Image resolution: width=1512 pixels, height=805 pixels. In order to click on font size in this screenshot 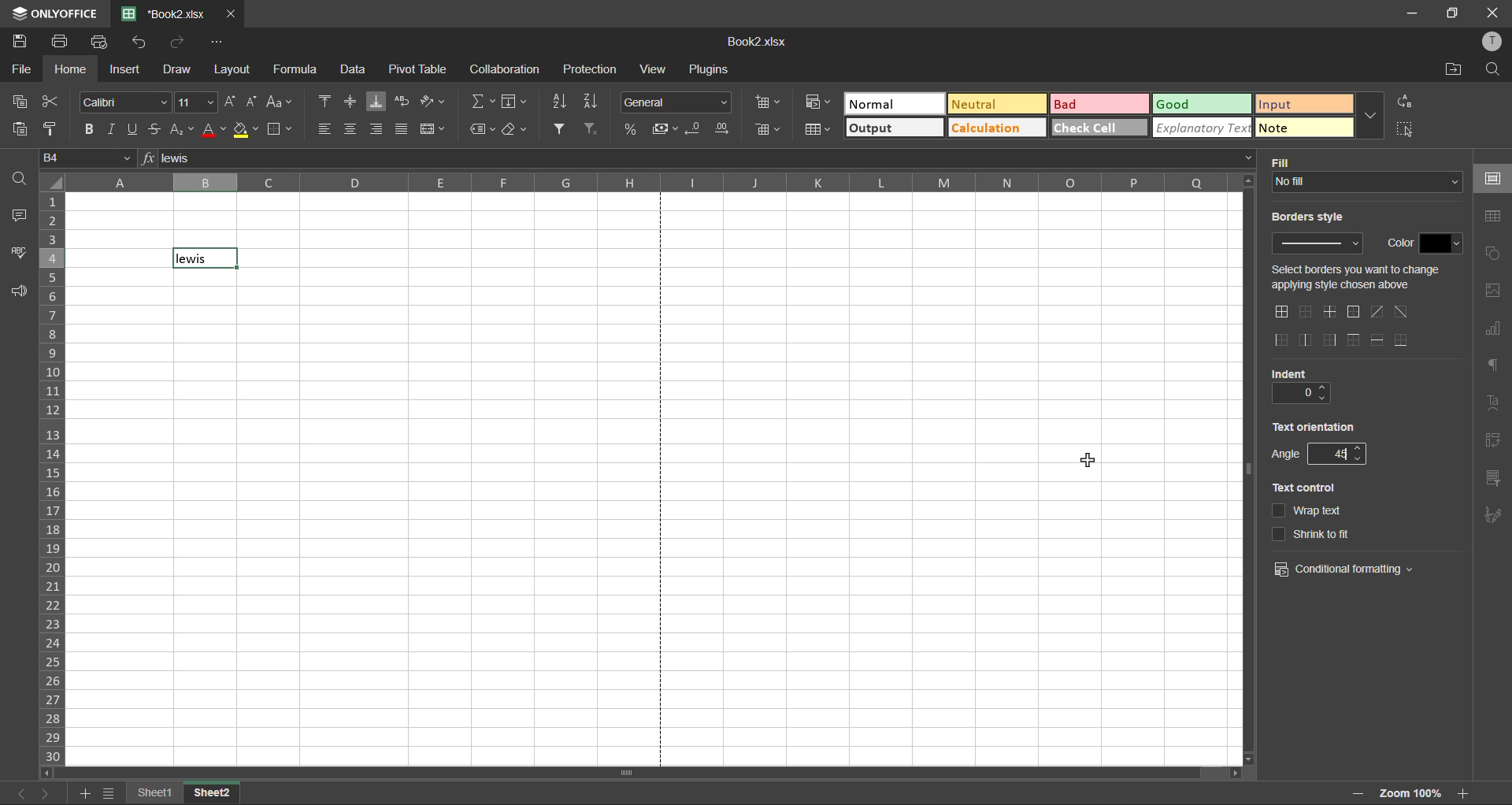, I will do `click(194, 105)`.